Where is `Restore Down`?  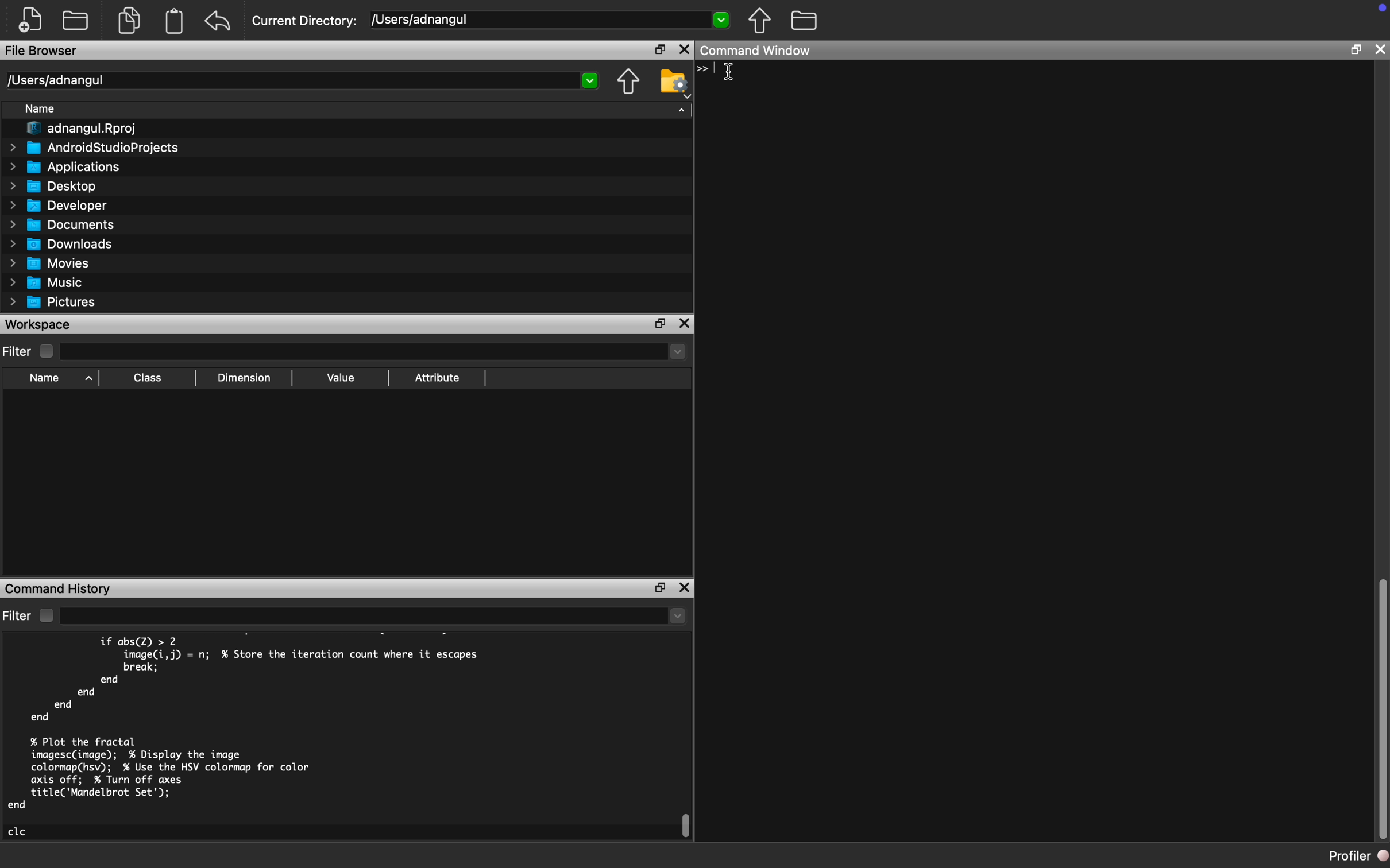 Restore Down is located at coordinates (1355, 49).